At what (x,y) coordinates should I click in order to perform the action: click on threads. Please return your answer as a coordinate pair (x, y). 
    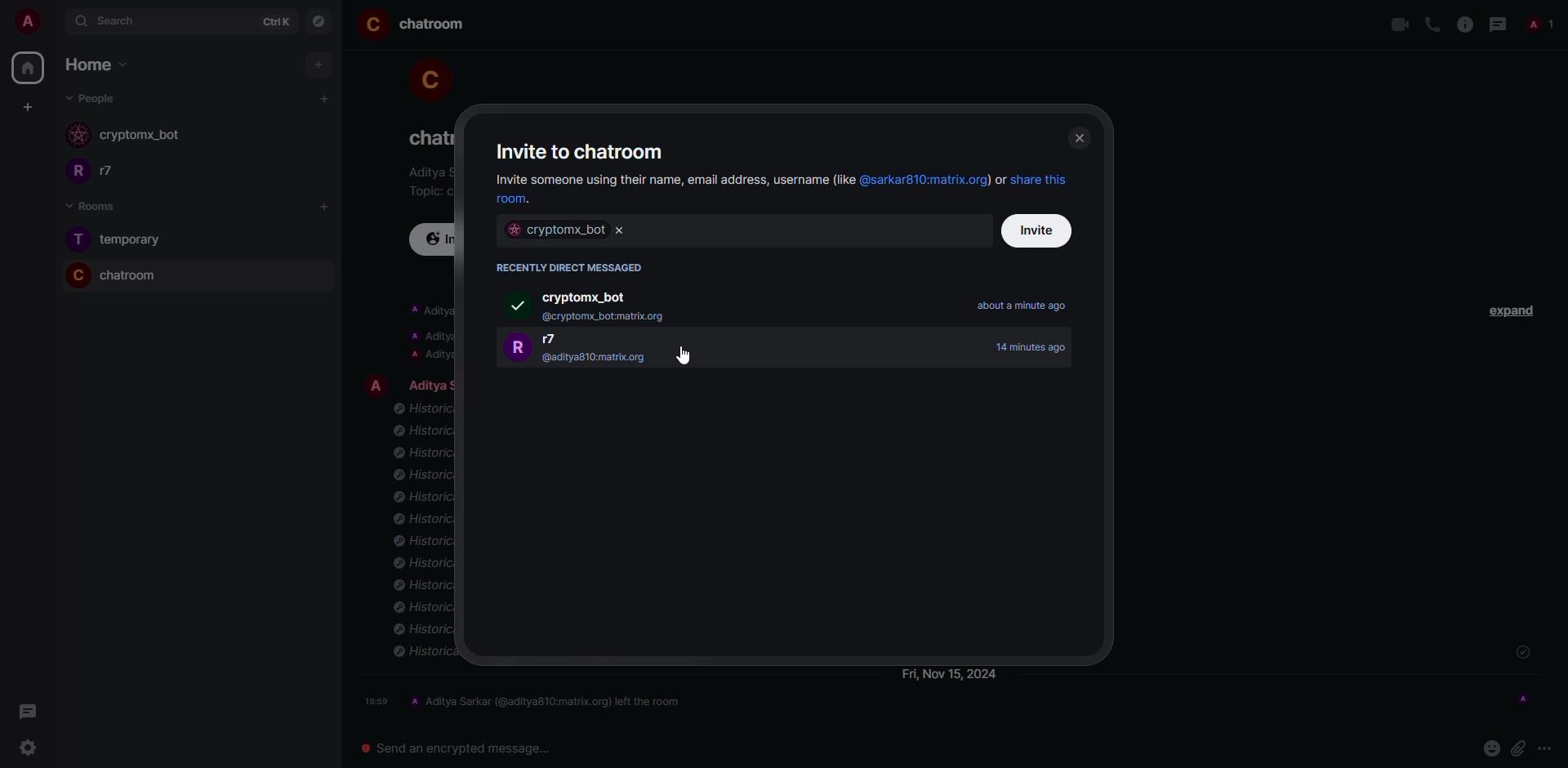
    Looking at the image, I should click on (24, 712).